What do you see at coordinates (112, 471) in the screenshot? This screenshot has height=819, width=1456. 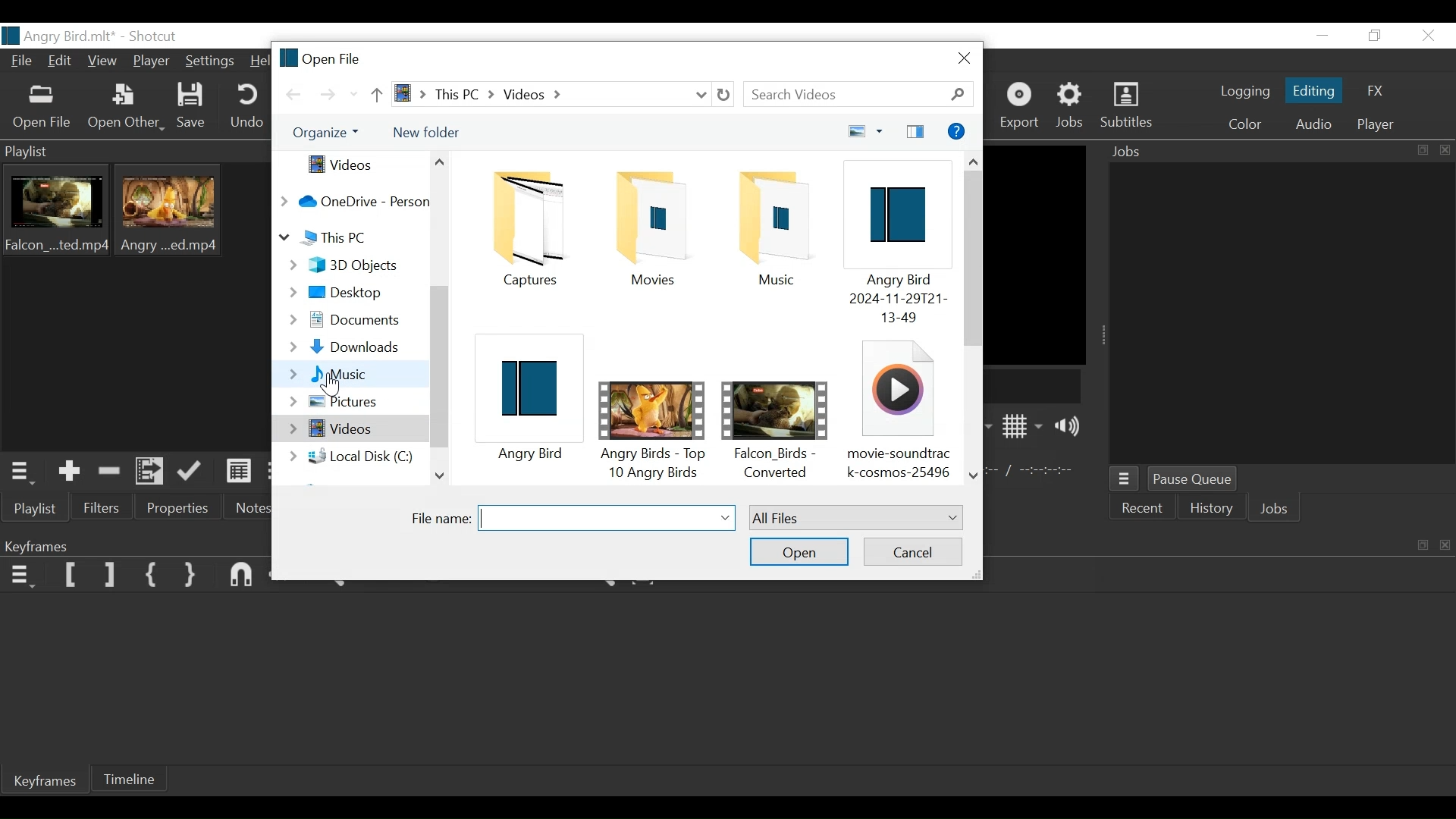 I see `Remove cut` at bounding box center [112, 471].